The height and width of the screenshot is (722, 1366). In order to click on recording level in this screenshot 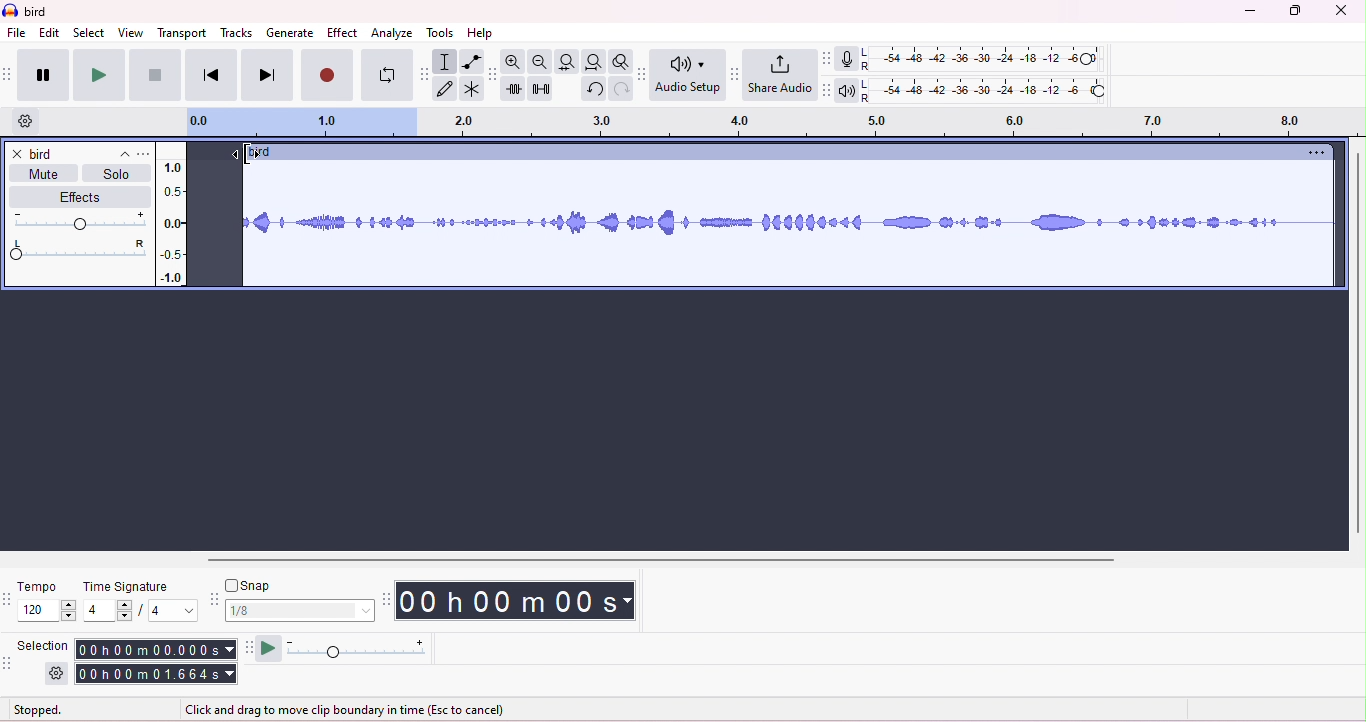, I will do `click(983, 59)`.